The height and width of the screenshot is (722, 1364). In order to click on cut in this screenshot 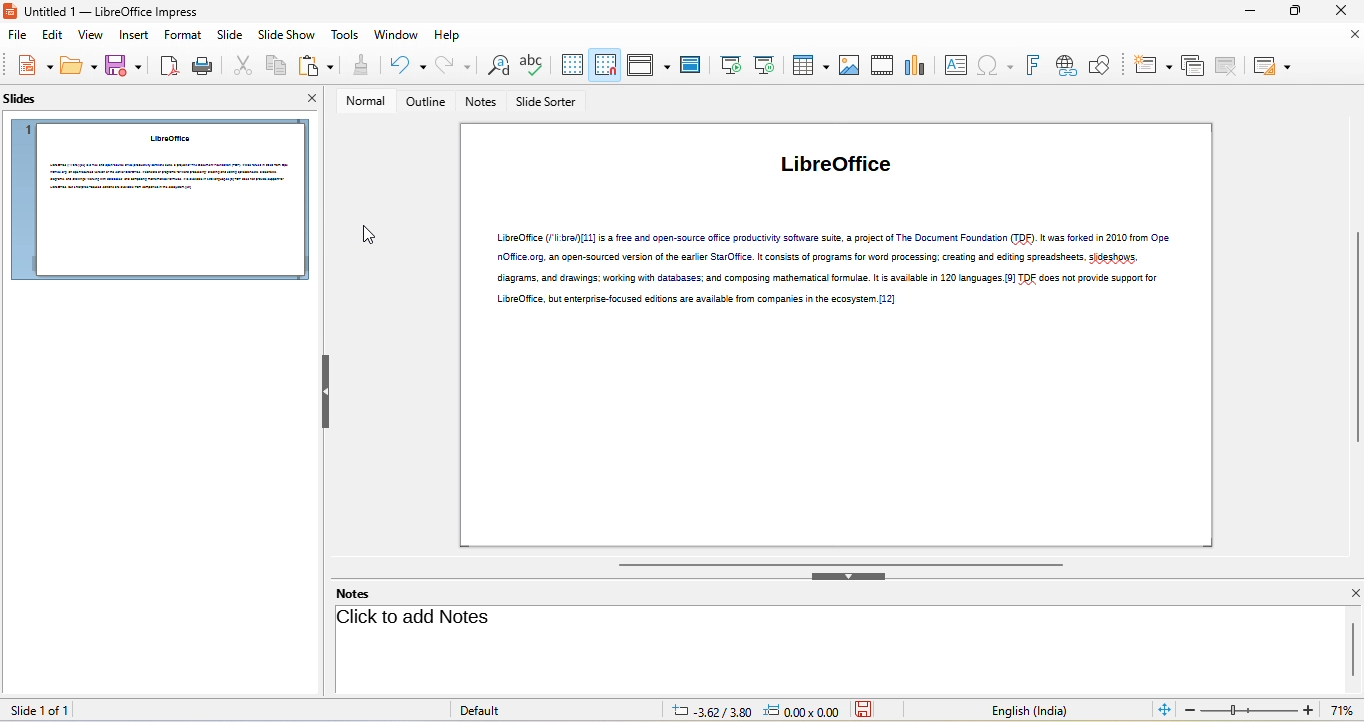, I will do `click(240, 65)`.